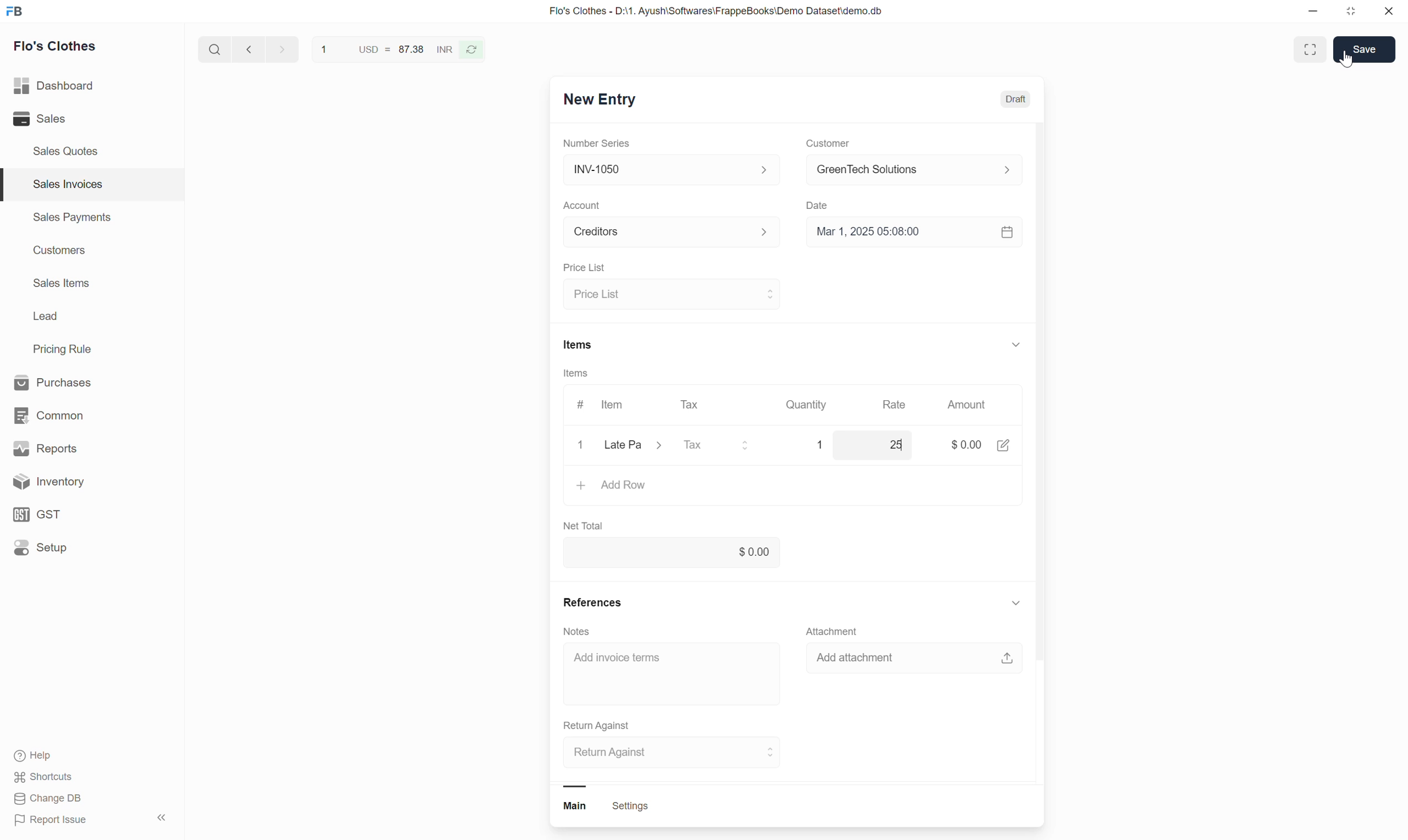 The width and height of the screenshot is (1408, 840). What do you see at coordinates (577, 344) in the screenshot?
I see `Items` at bounding box center [577, 344].